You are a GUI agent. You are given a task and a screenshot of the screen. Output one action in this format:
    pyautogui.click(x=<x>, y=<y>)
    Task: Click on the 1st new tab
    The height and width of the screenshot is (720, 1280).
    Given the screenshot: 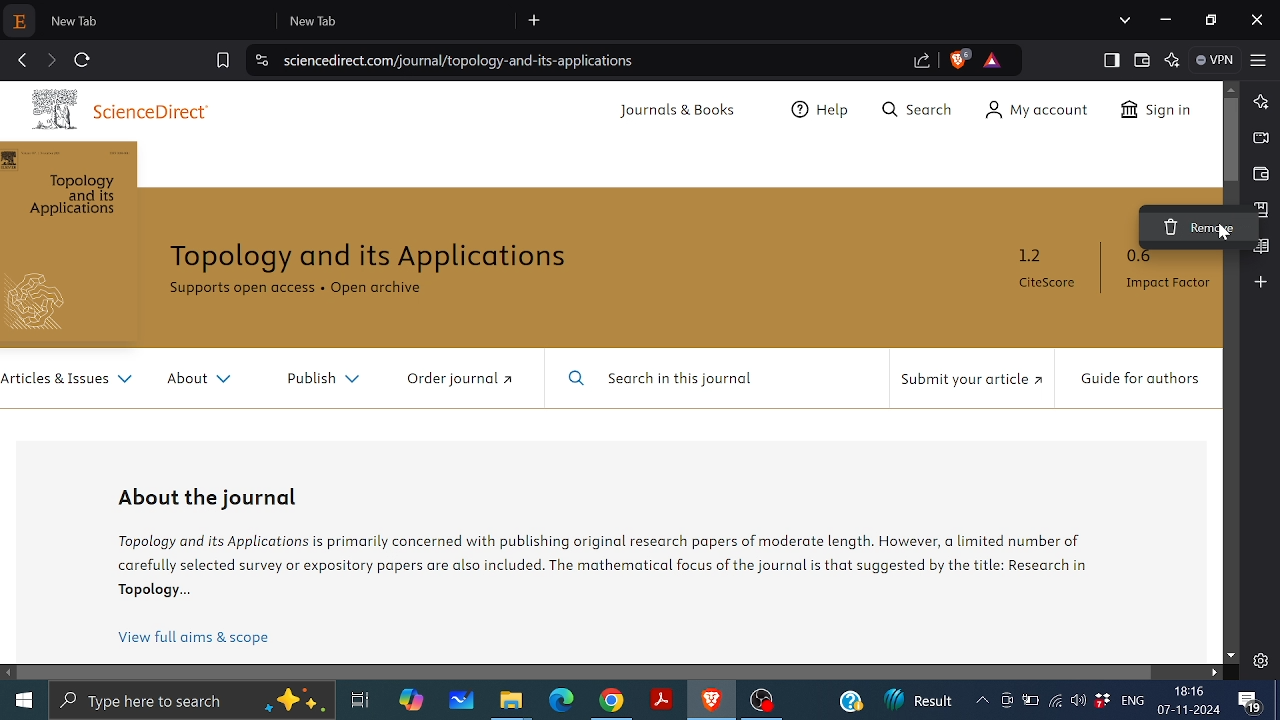 What is the action you would take?
    pyautogui.click(x=160, y=20)
    